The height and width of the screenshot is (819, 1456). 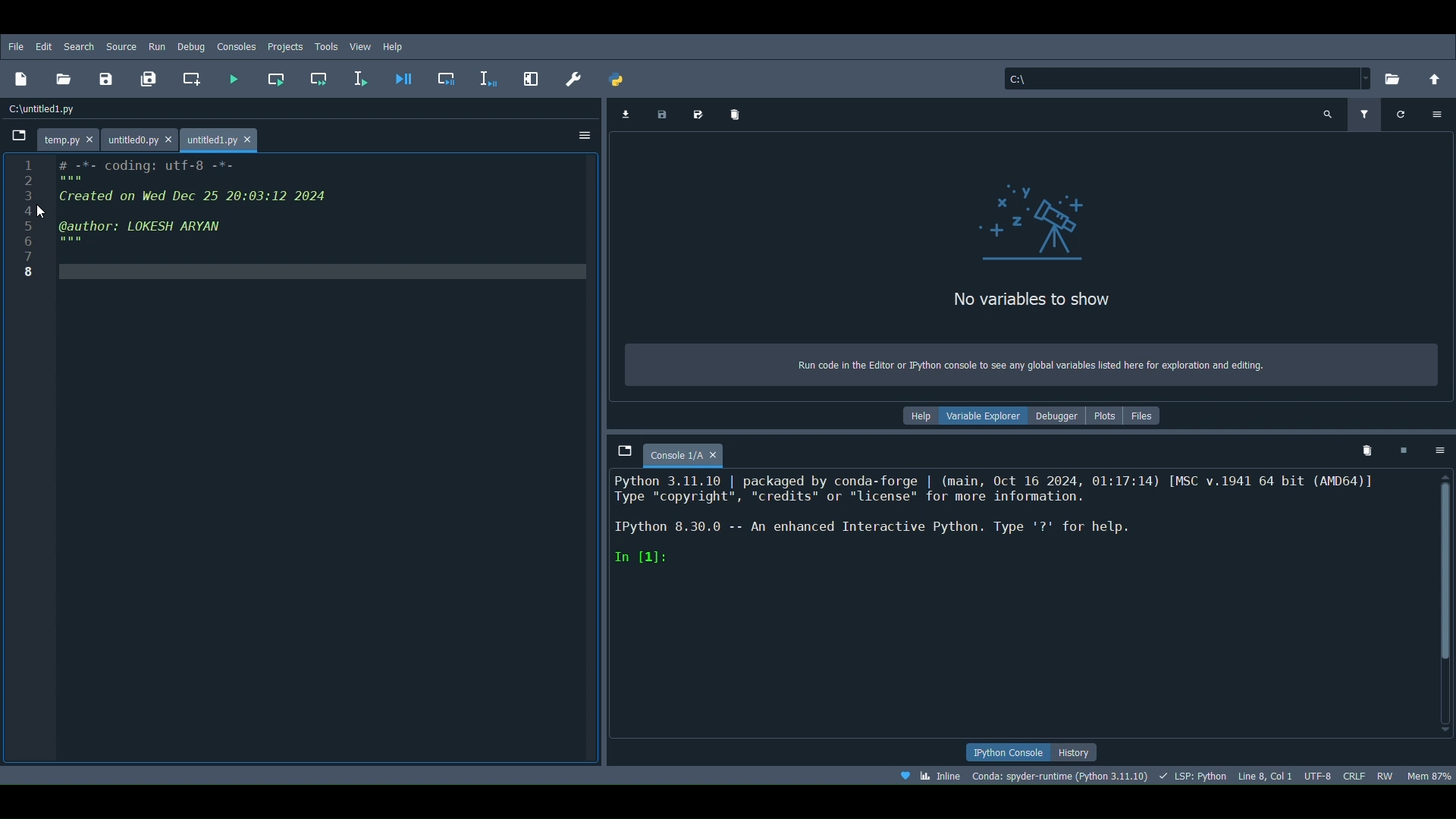 What do you see at coordinates (618, 448) in the screenshot?
I see `Browse tabs` at bounding box center [618, 448].